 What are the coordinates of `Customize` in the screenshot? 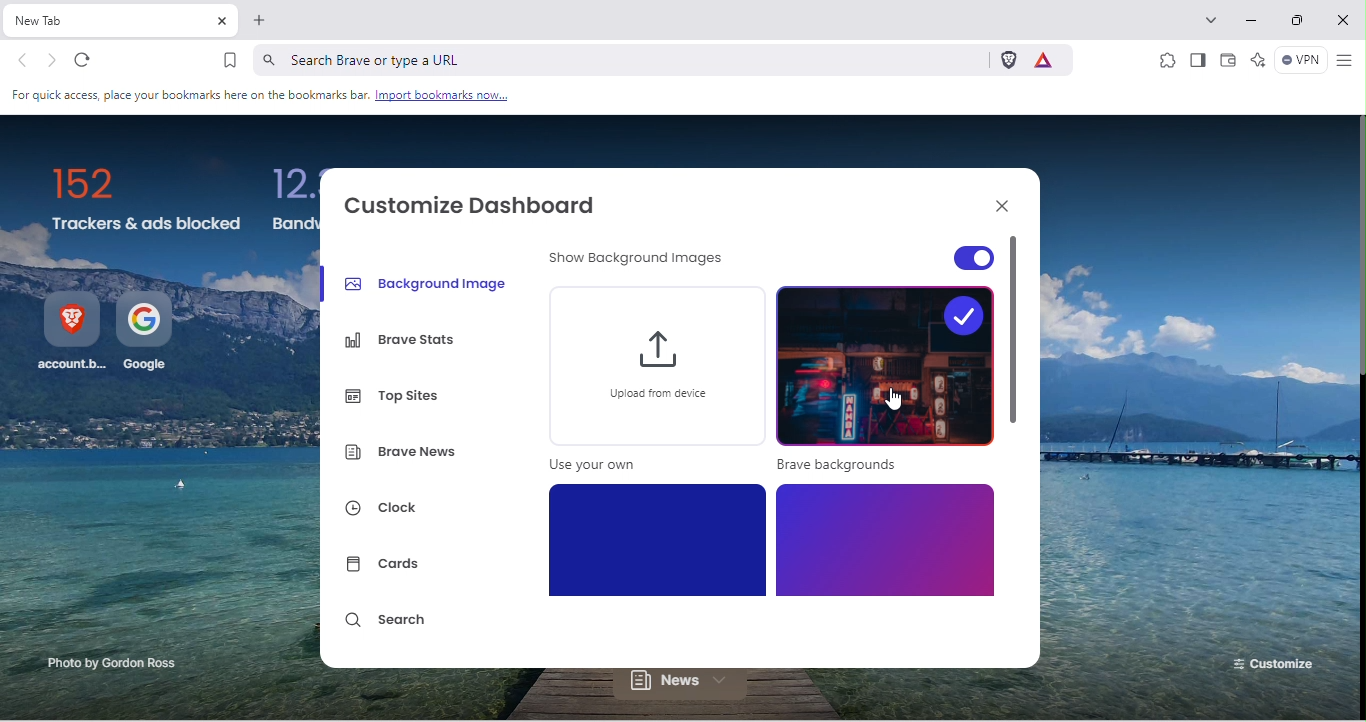 It's located at (1270, 660).